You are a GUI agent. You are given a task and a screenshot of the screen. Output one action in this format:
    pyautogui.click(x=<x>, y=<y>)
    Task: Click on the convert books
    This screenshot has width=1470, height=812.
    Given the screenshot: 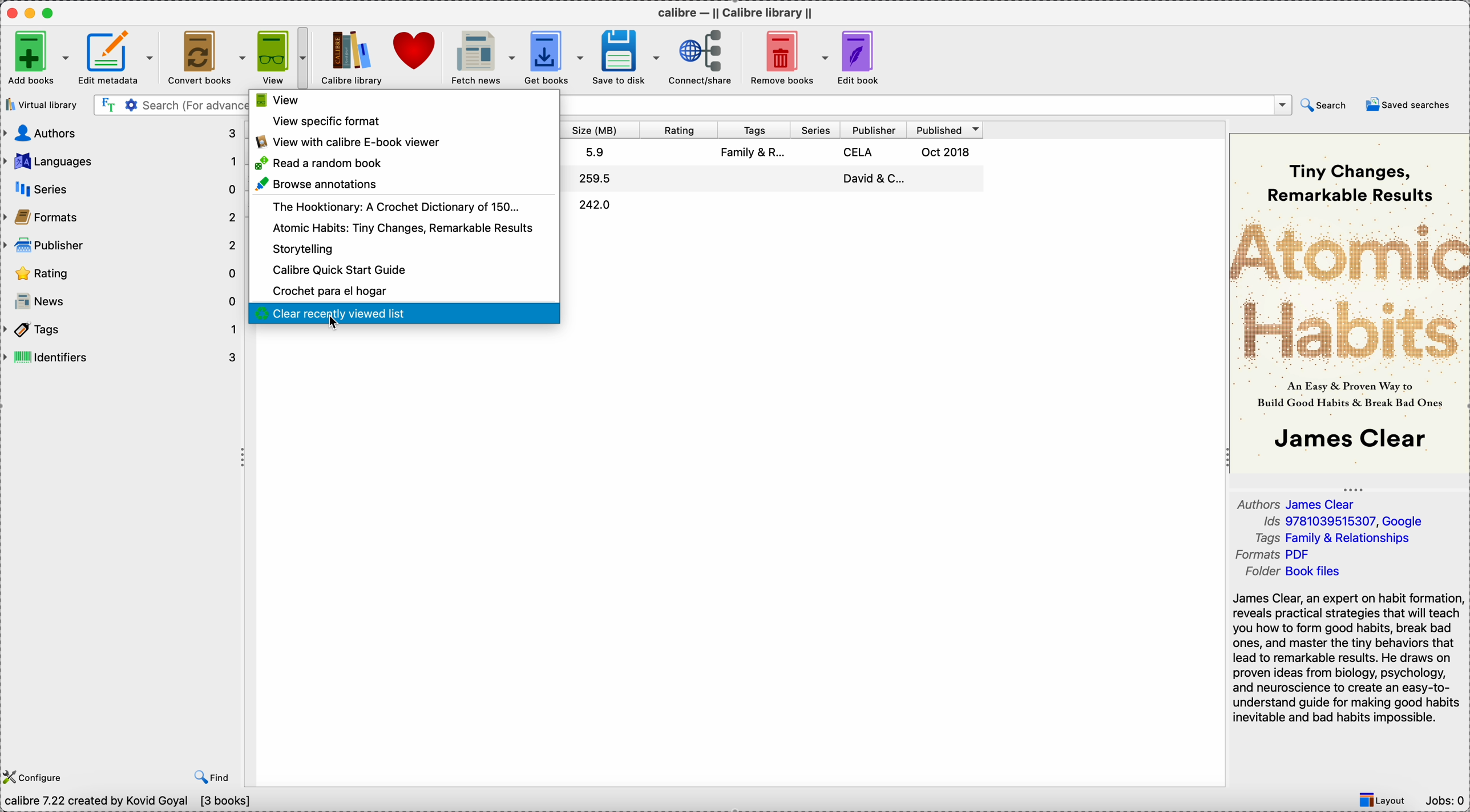 What is the action you would take?
    pyautogui.click(x=205, y=59)
    